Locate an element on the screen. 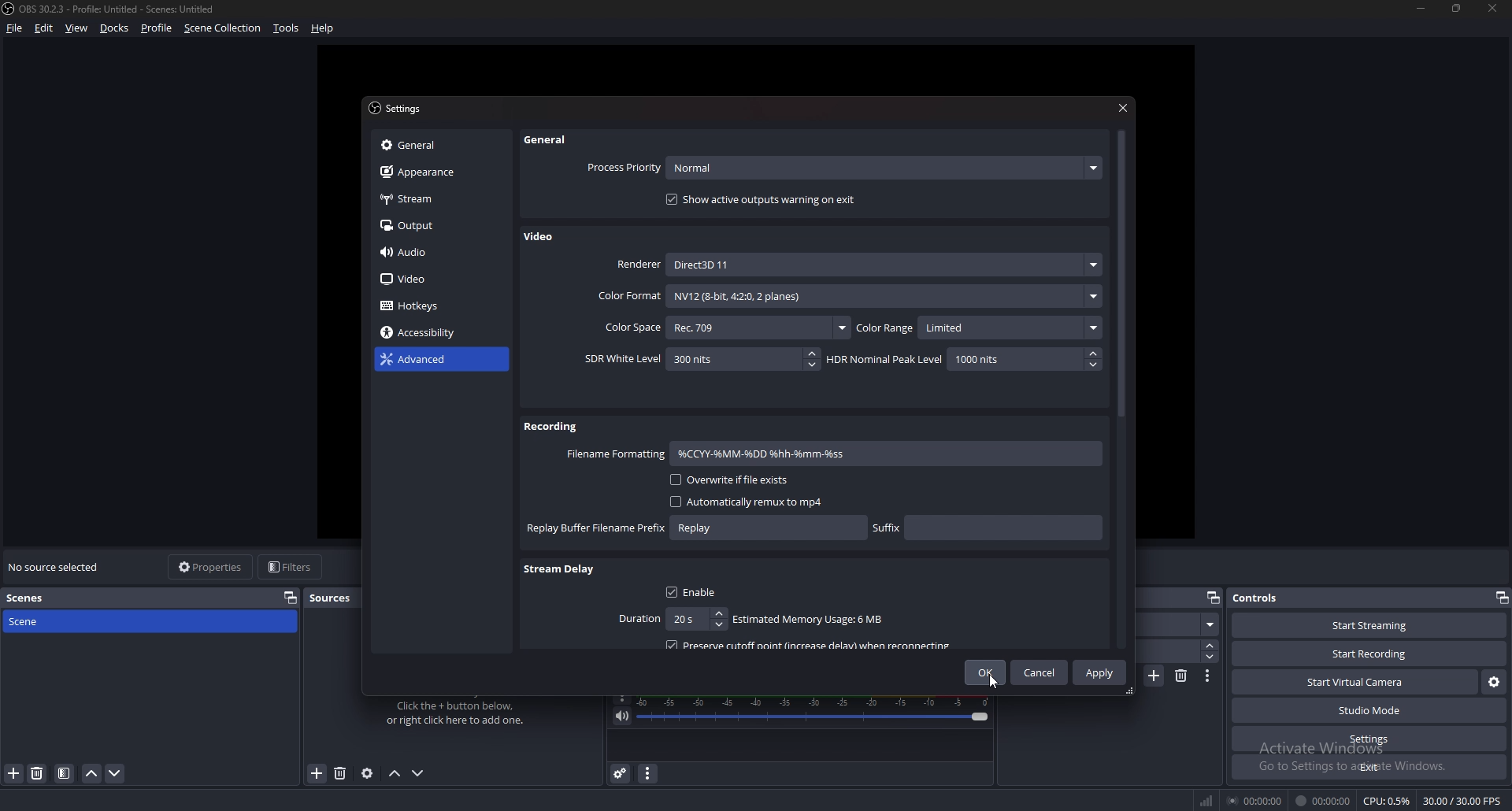 The width and height of the screenshot is (1512, 811). Estimated memory usage : 6mb is located at coordinates (806, 620).